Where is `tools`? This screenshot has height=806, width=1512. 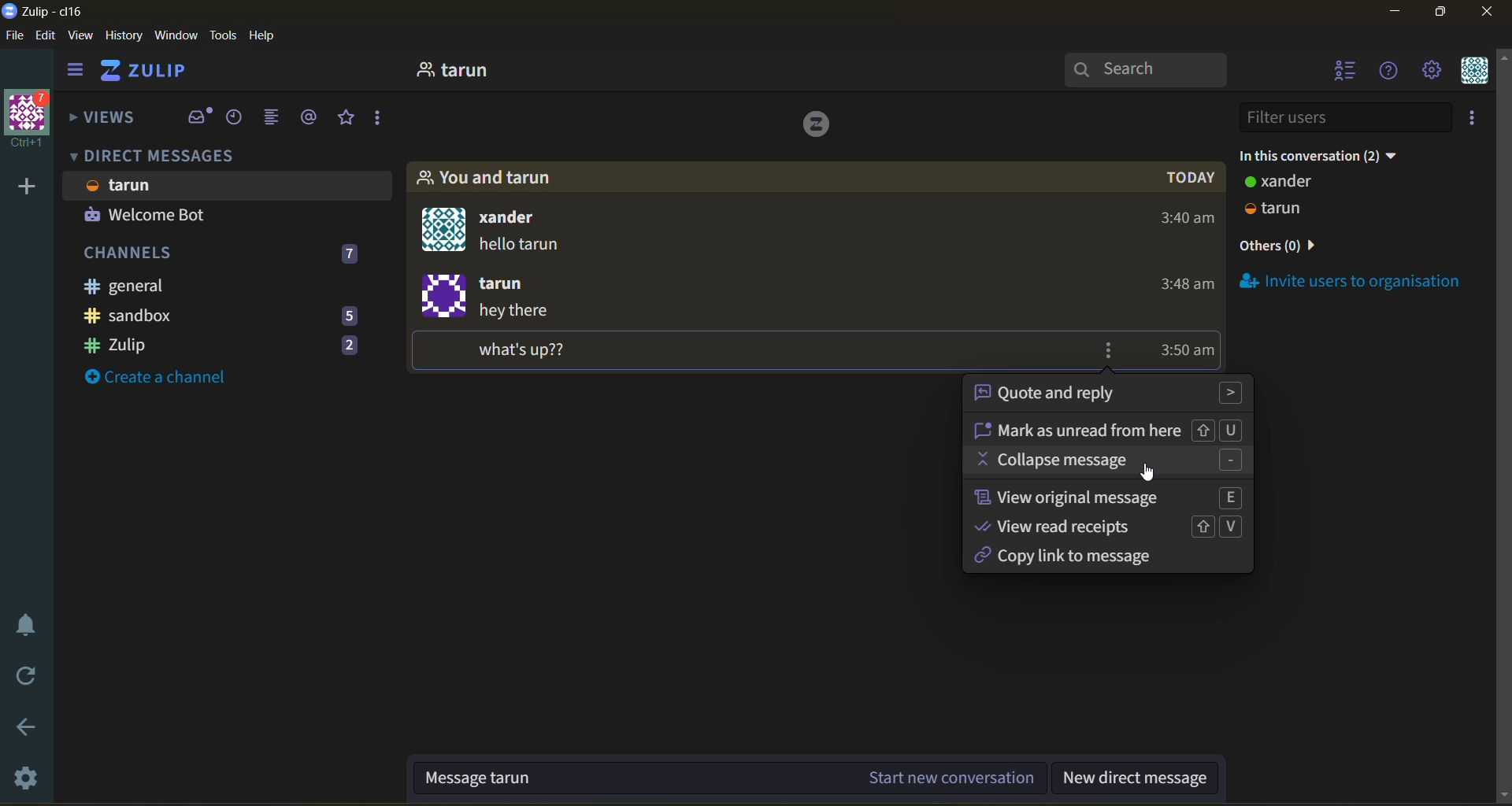
tools is located at coordinates (223, 35).